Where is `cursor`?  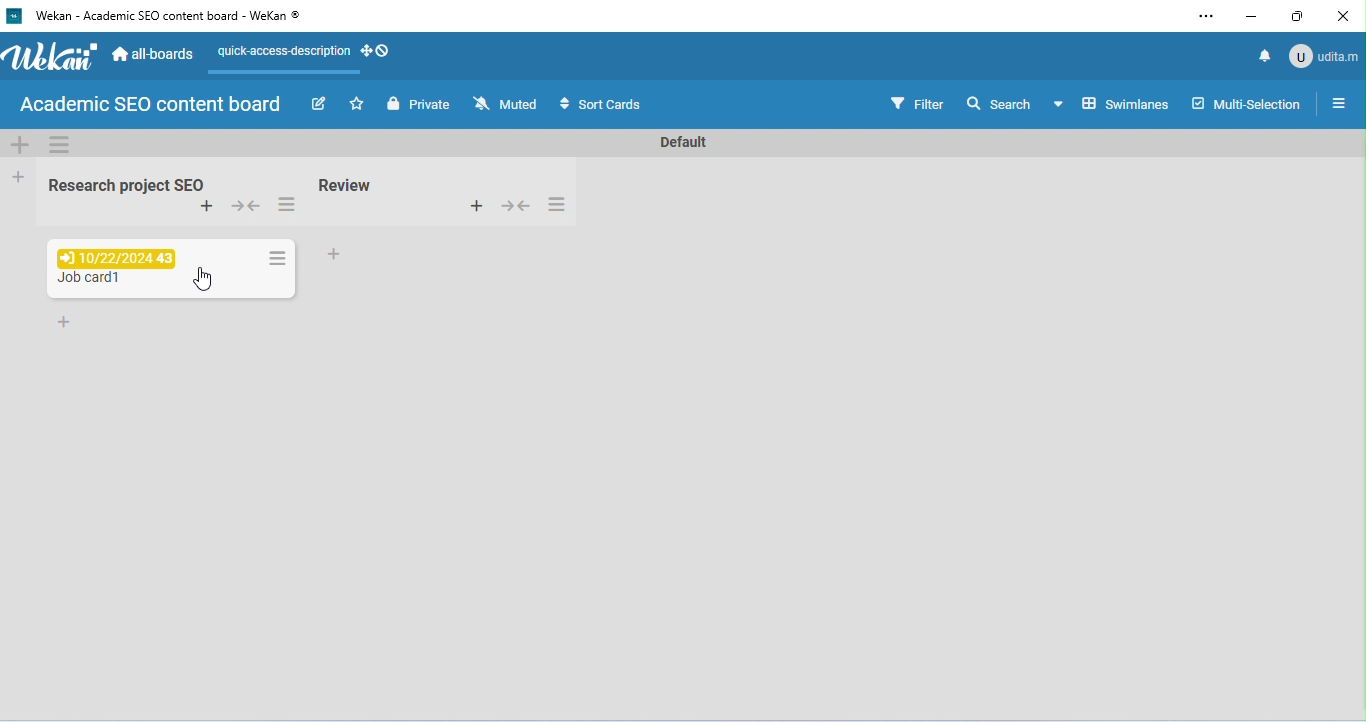
cursor is located at coordinates (205, 281).